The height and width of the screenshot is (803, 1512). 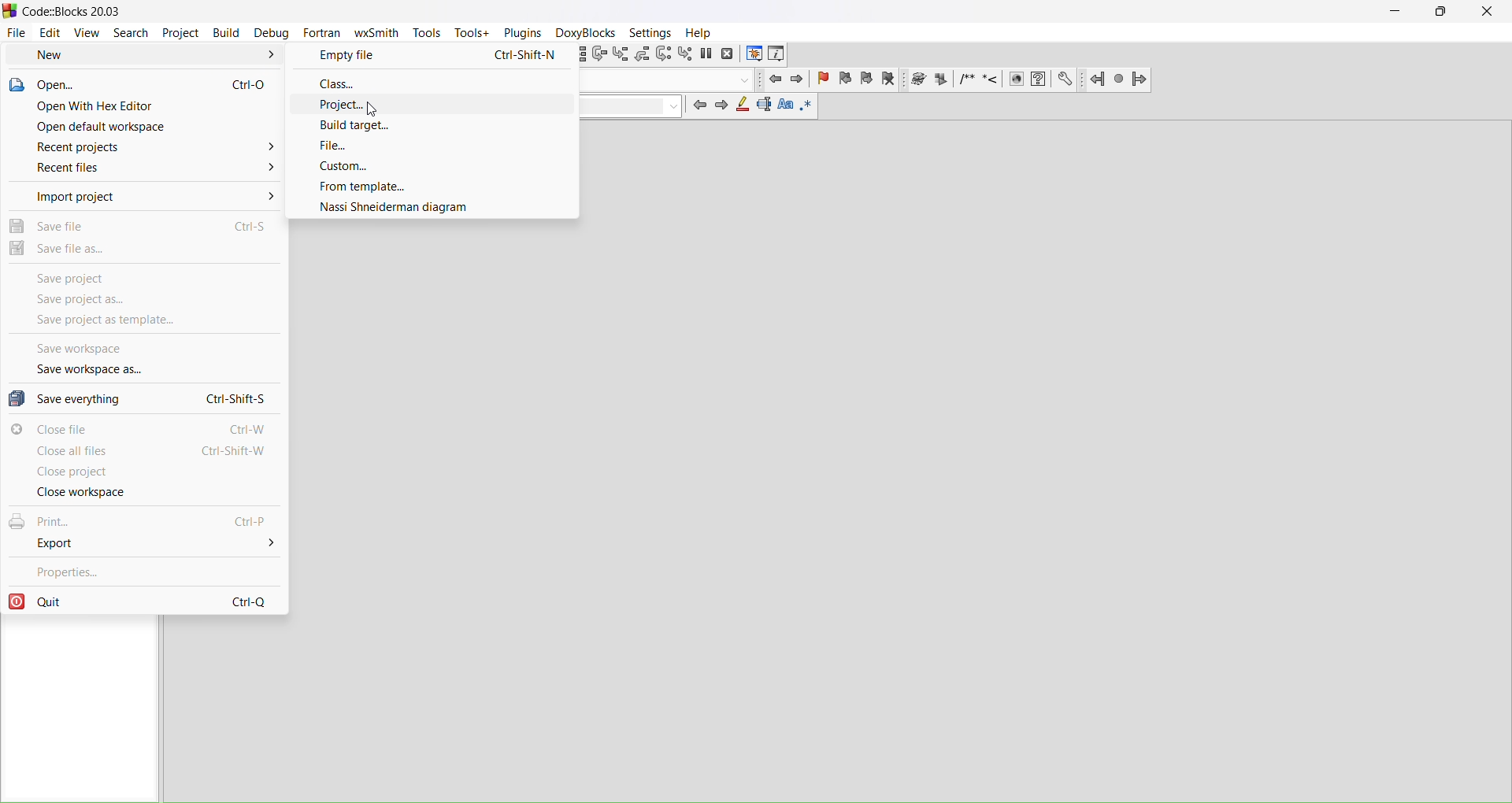 What do you see at coordinates (706, 57) in the screenshot?
I see `break debugger` at bounding box center [706, 57].